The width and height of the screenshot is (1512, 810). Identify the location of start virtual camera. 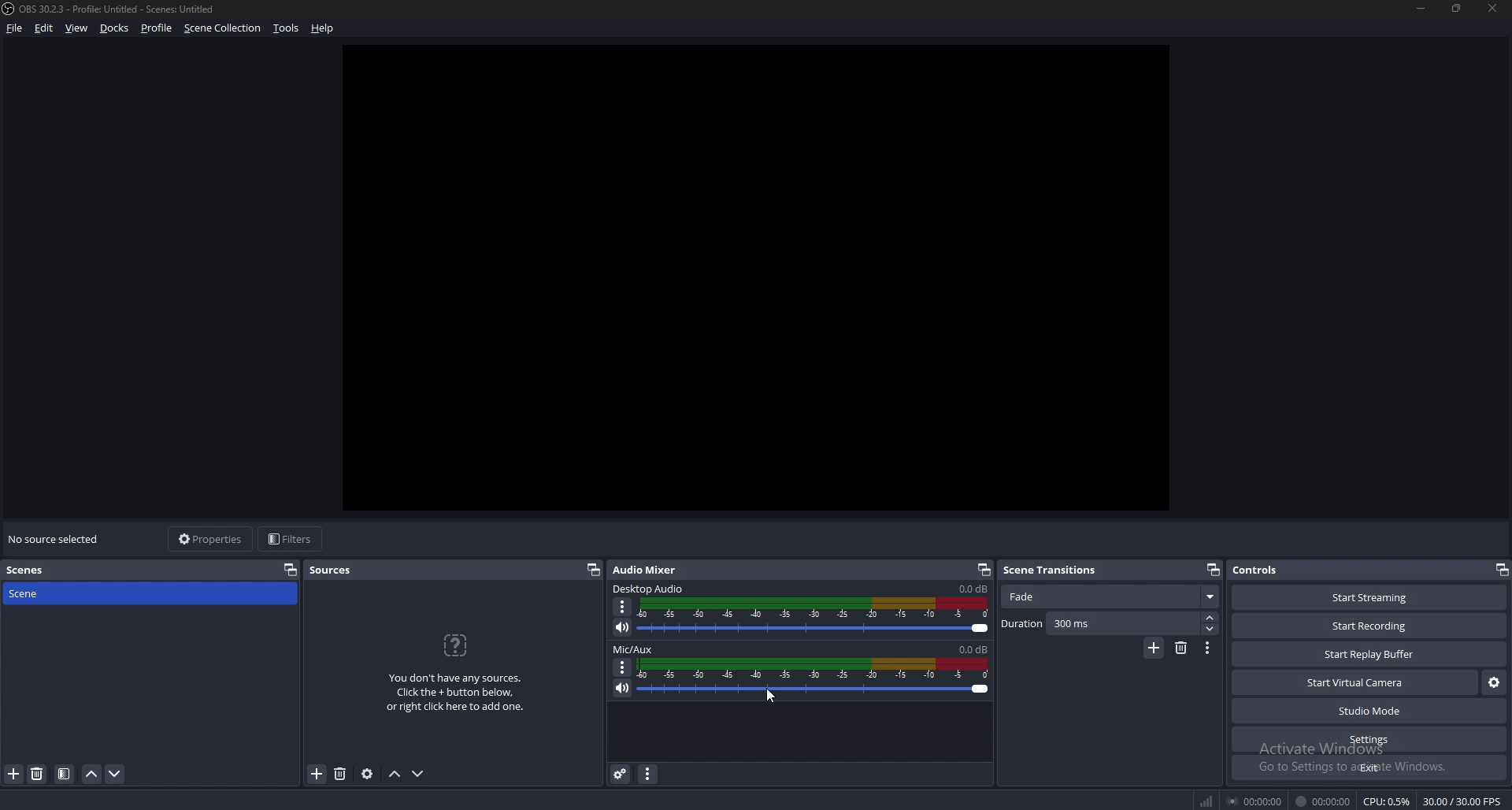
(1356, 683).